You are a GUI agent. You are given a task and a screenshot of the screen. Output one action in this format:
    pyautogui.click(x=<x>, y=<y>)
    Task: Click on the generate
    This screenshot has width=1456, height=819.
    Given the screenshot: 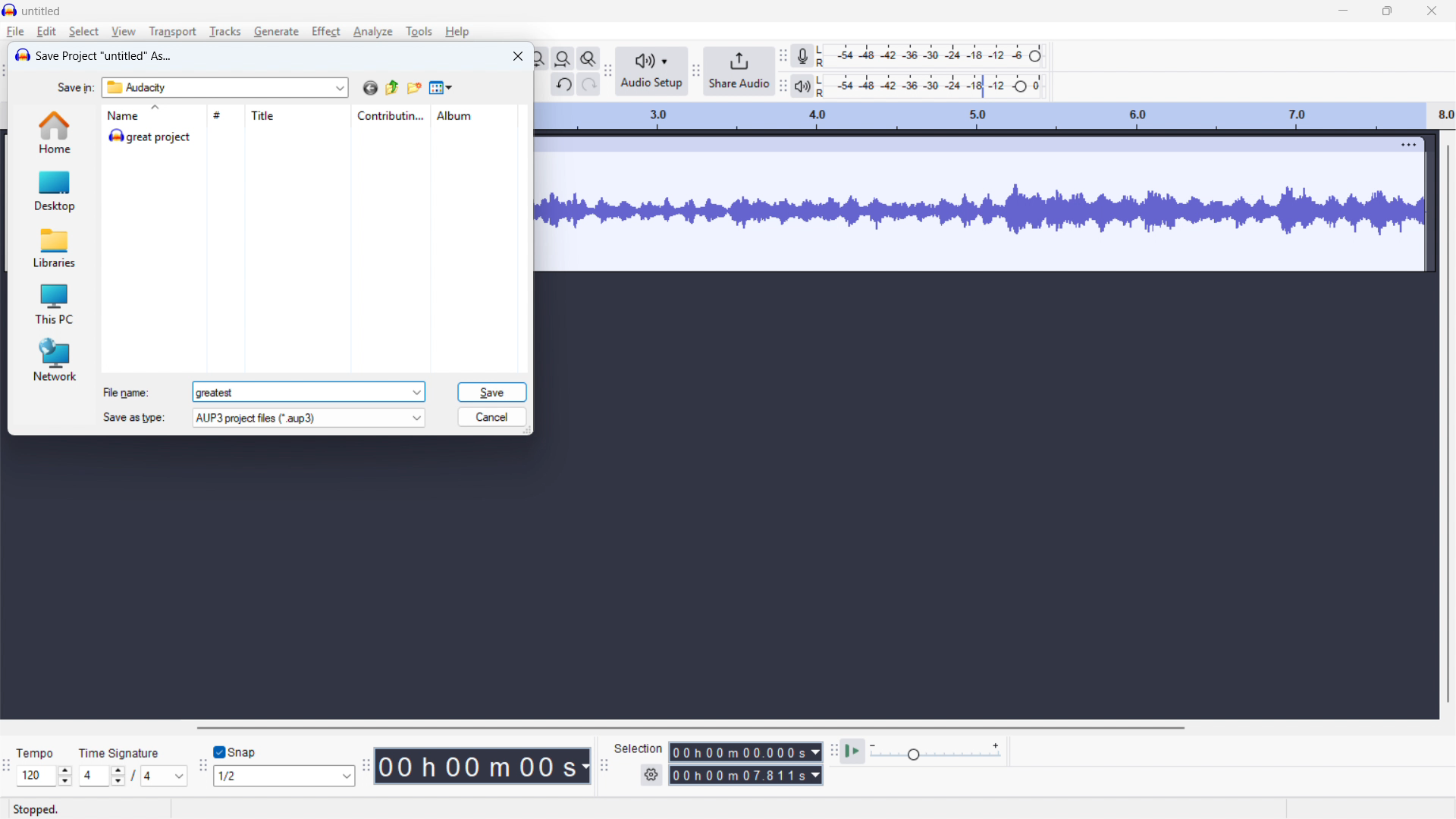 What is the action you would take?
    pyautogui.click(x=276, y=32)
    